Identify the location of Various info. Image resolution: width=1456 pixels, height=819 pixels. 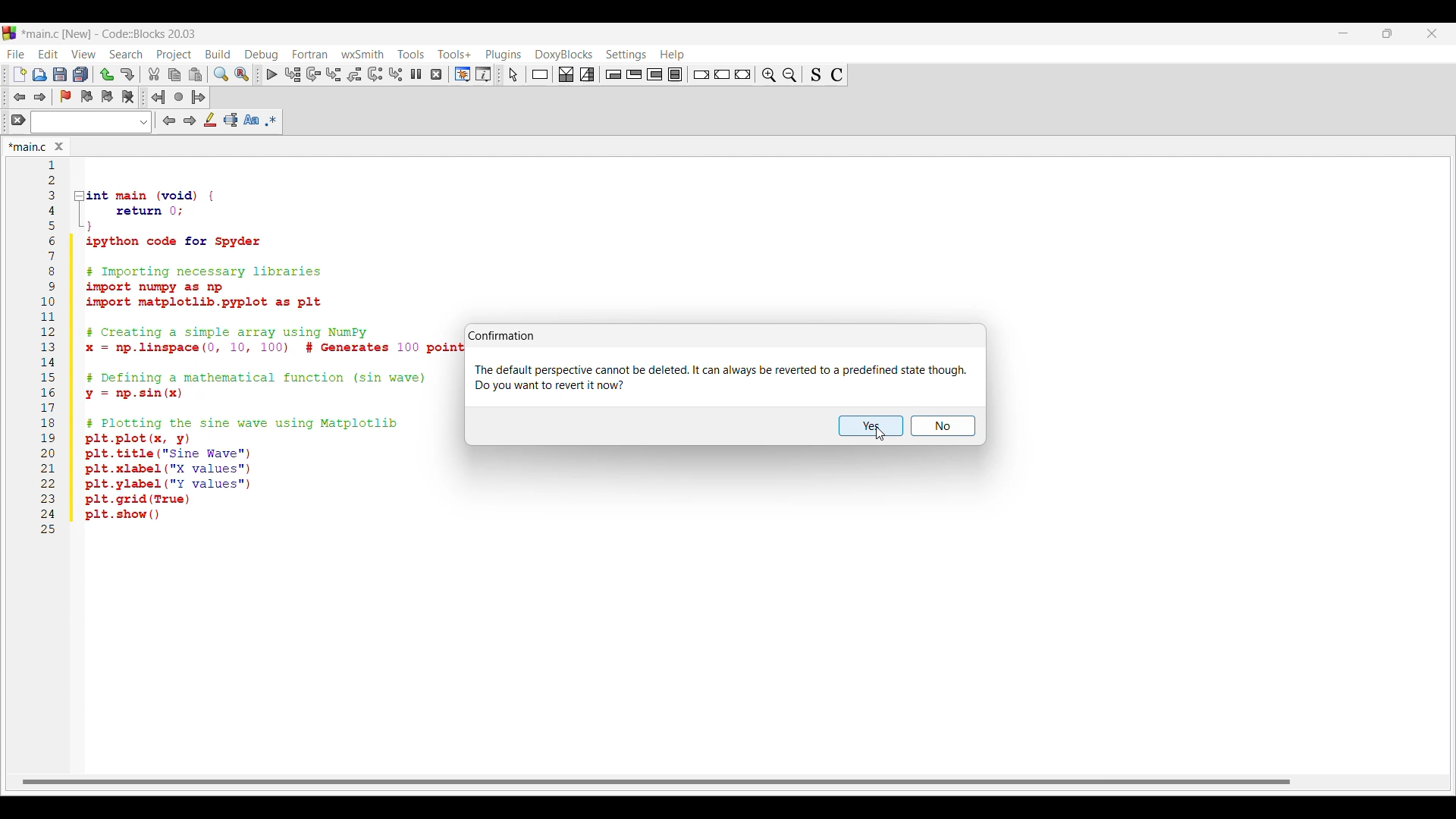
(483, 74).